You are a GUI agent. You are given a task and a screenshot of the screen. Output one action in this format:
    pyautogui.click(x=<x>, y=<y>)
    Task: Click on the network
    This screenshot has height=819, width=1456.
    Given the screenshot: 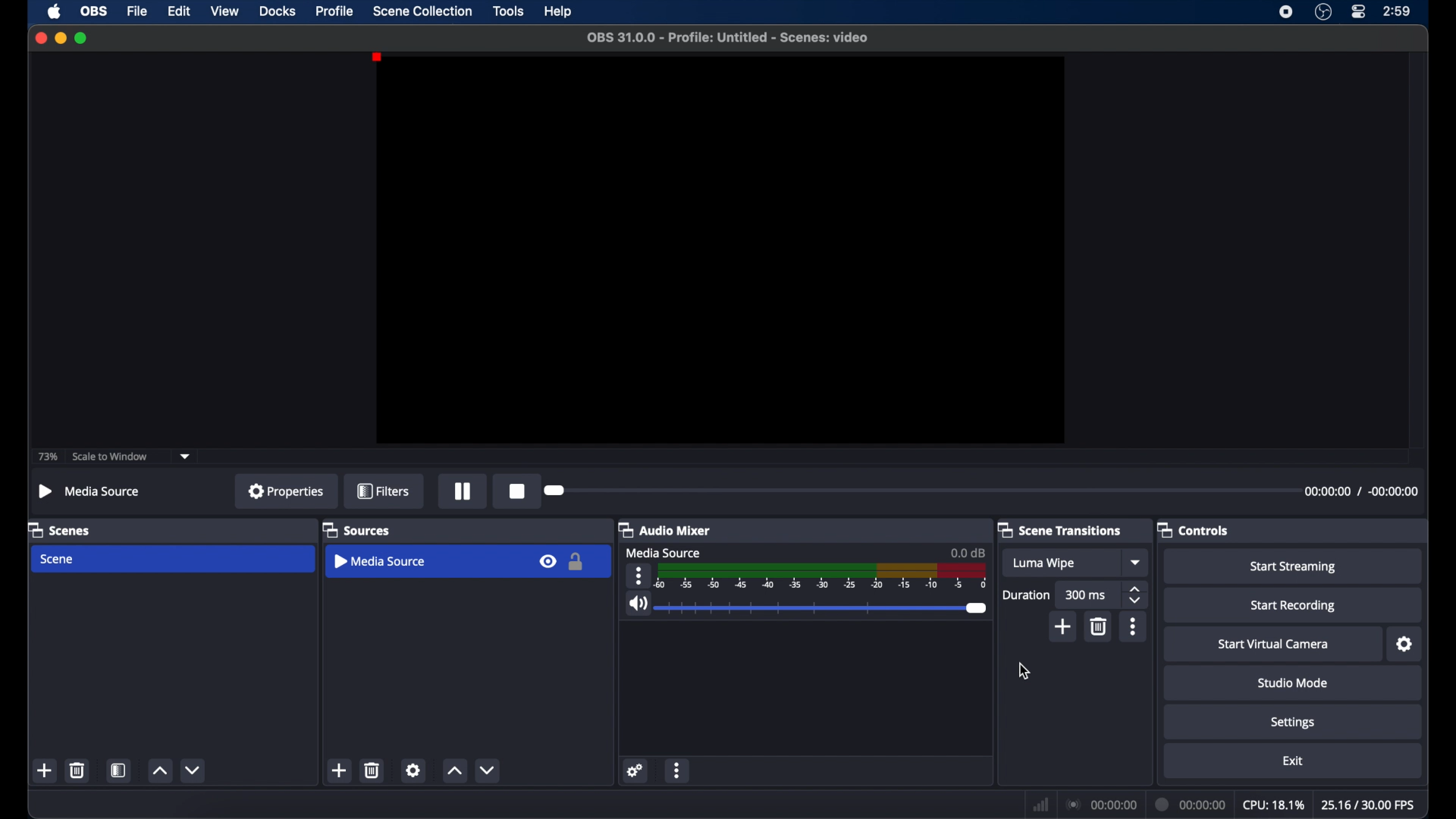 What is the action you would take?
    pyautogui.click(x=1041, y=805)
    